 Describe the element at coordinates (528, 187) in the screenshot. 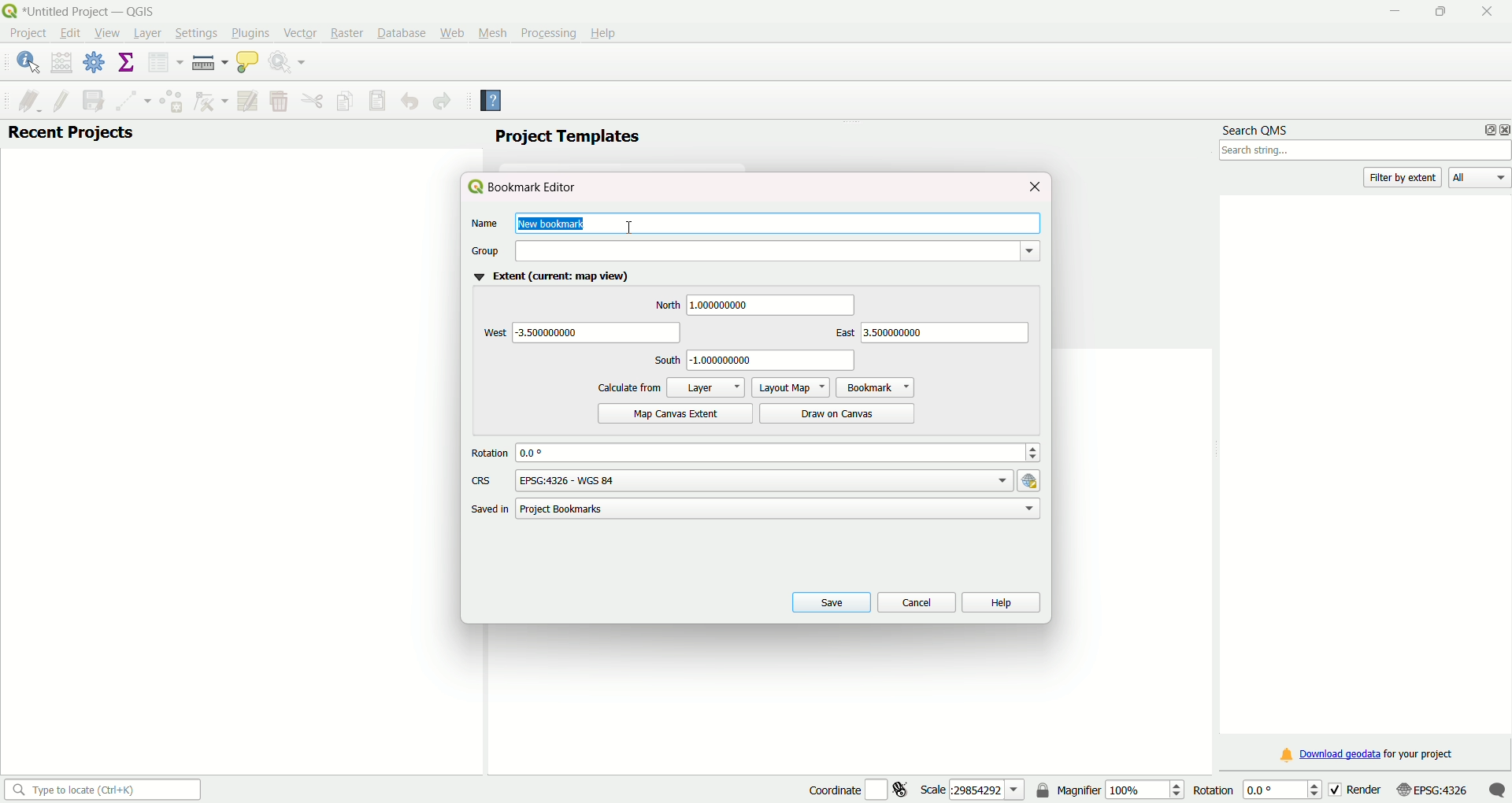

I see `Bookmark editor` at that location.